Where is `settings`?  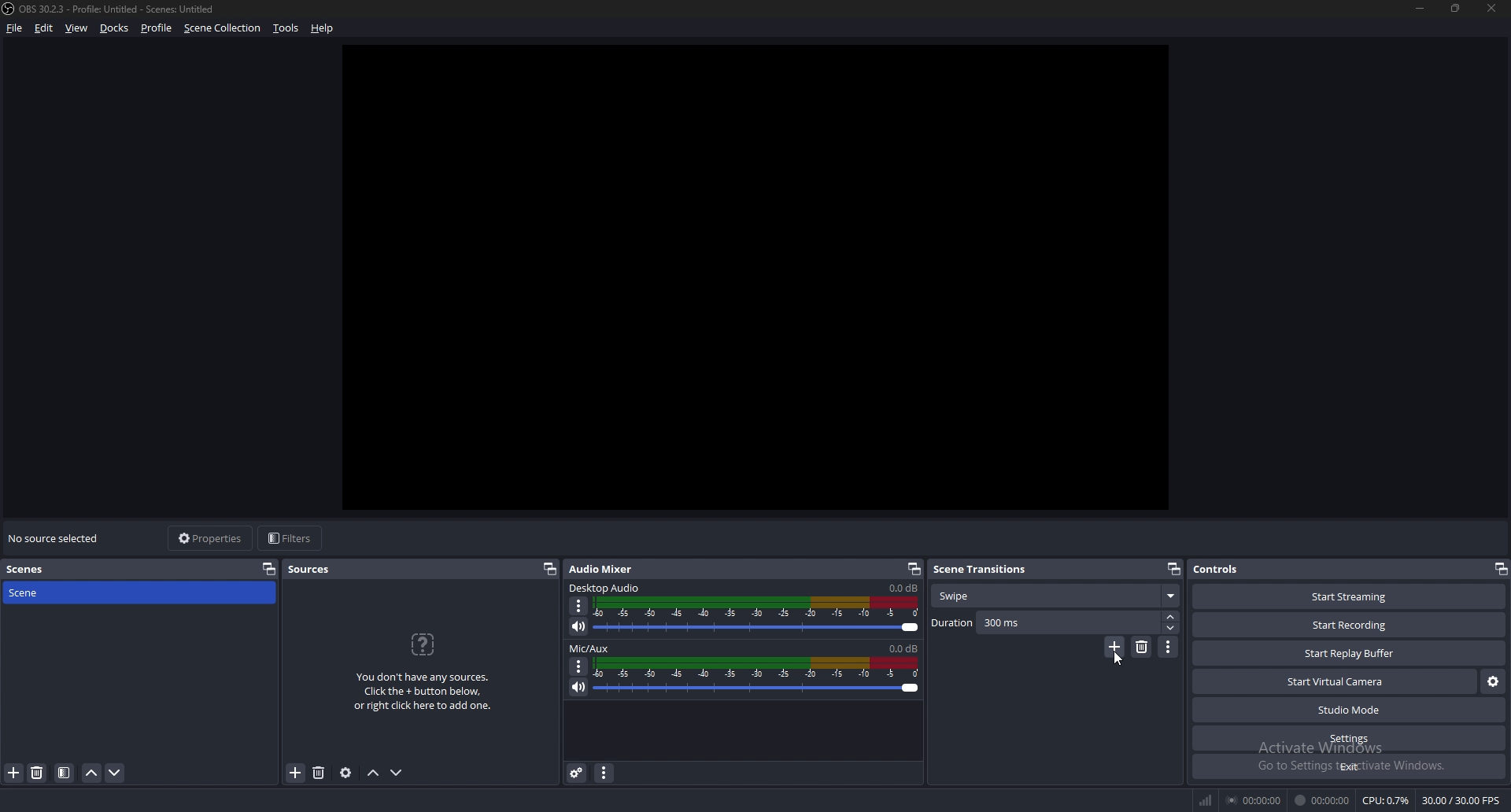
settings is located at coordinates (1350, 739).